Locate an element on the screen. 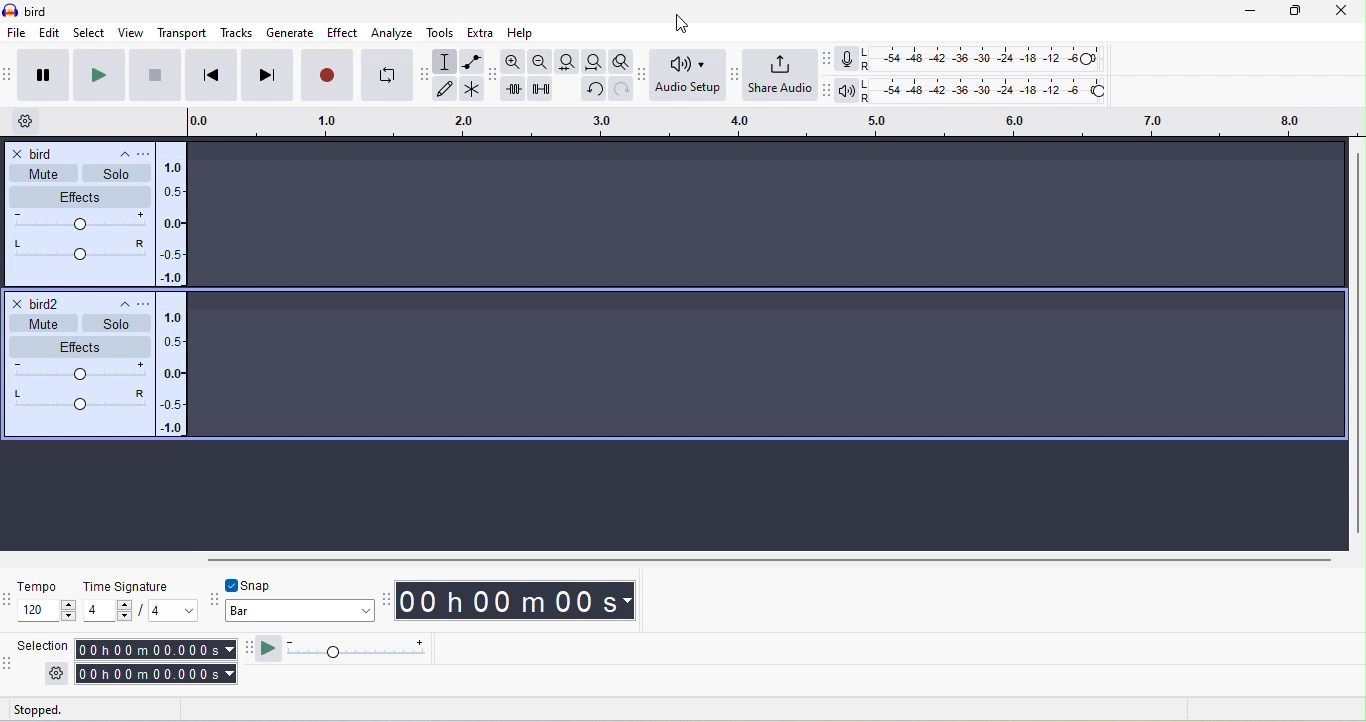 The width and height of the screenshot is (1366, 722). selection tool is located at coordinates (447, 63).